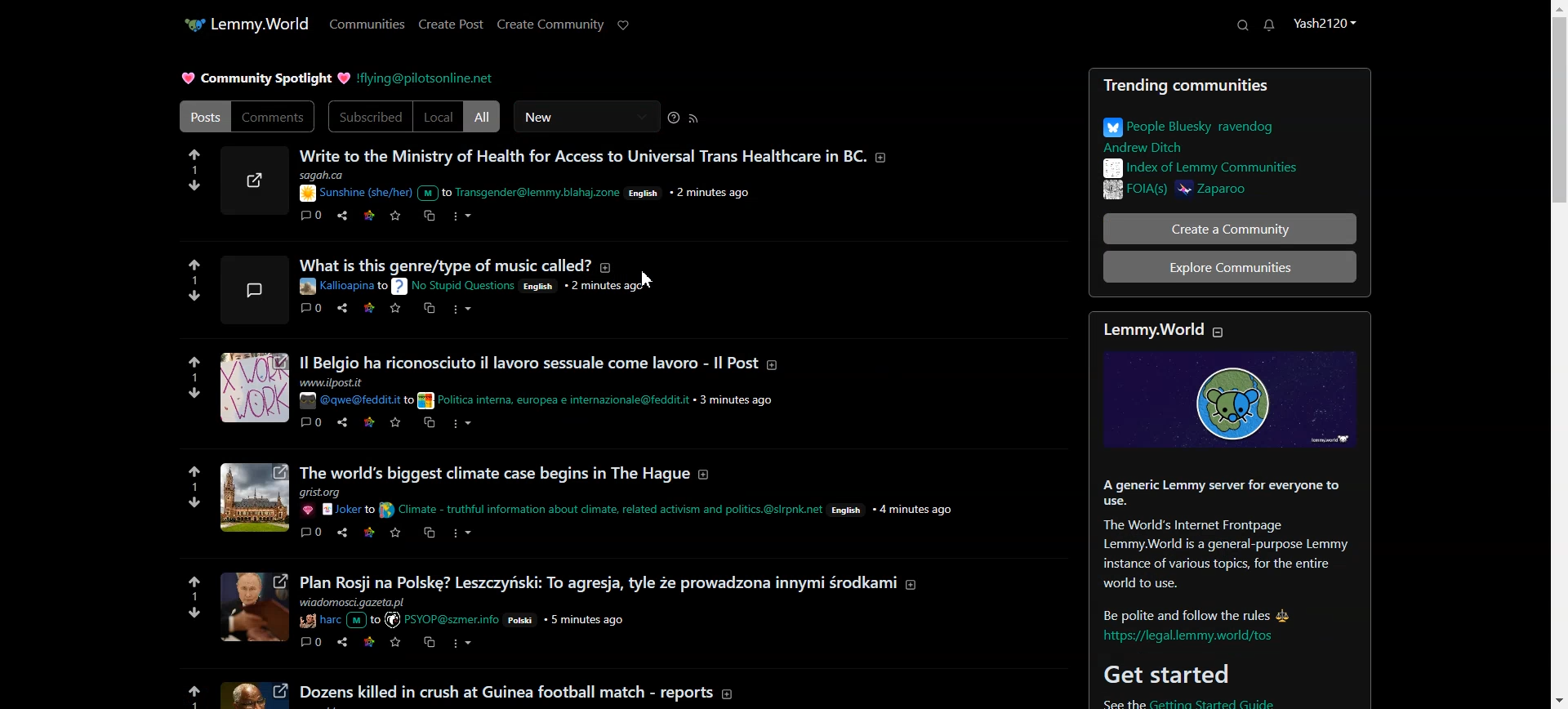 The width and height of the screenshot is (1568, 709). Describe the element at coordinates (184, 694) in the screenshot. I see `upvote` at that location.